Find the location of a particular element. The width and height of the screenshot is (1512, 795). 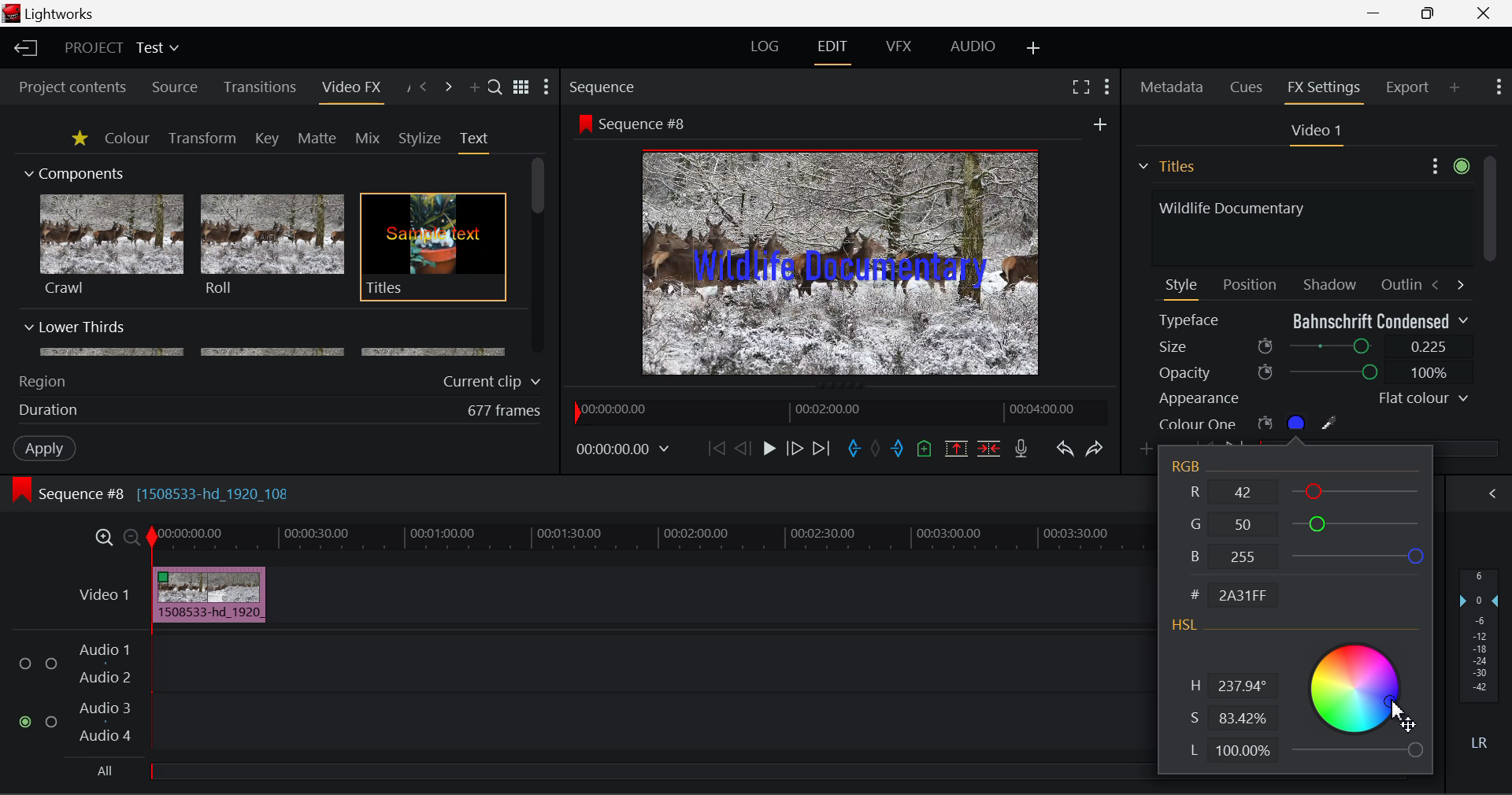

L is located at coordinates (1230, 752).